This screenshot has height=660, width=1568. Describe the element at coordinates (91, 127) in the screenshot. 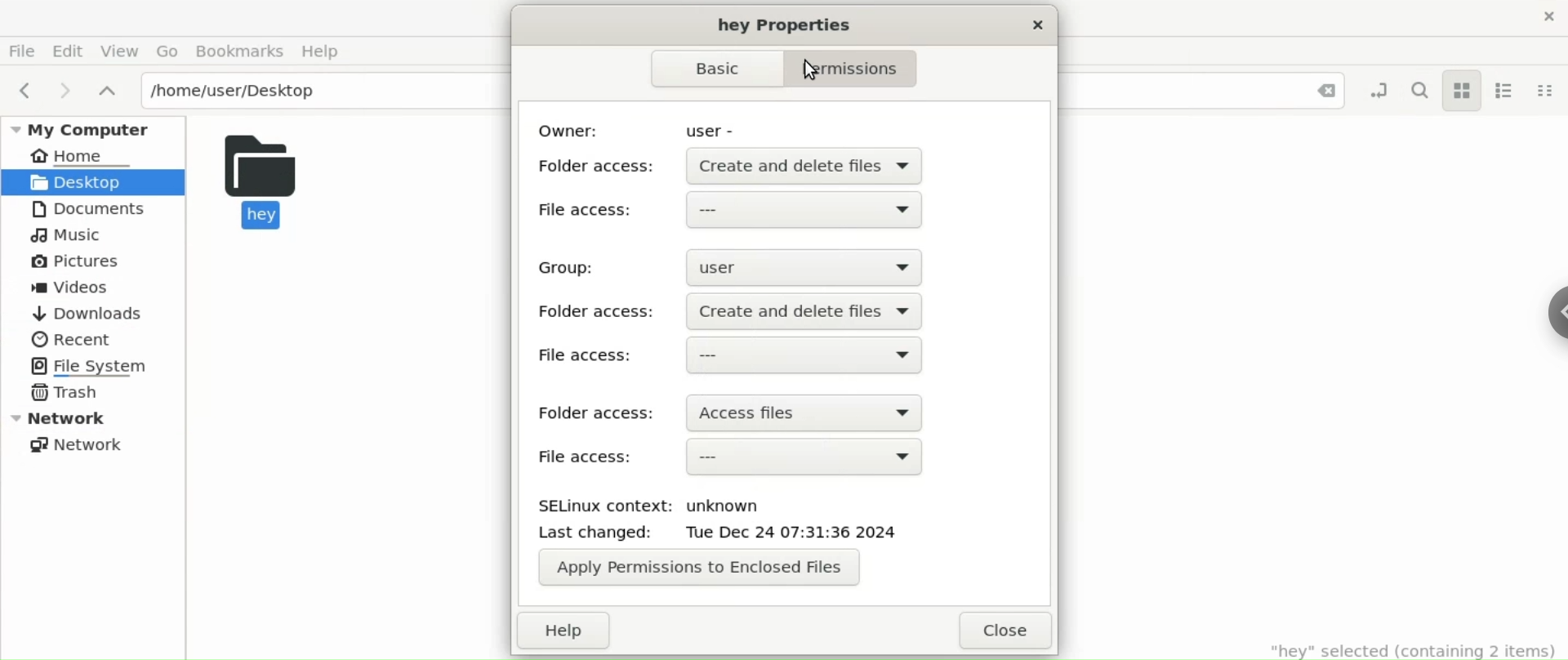

I see `My Computer` at that location.